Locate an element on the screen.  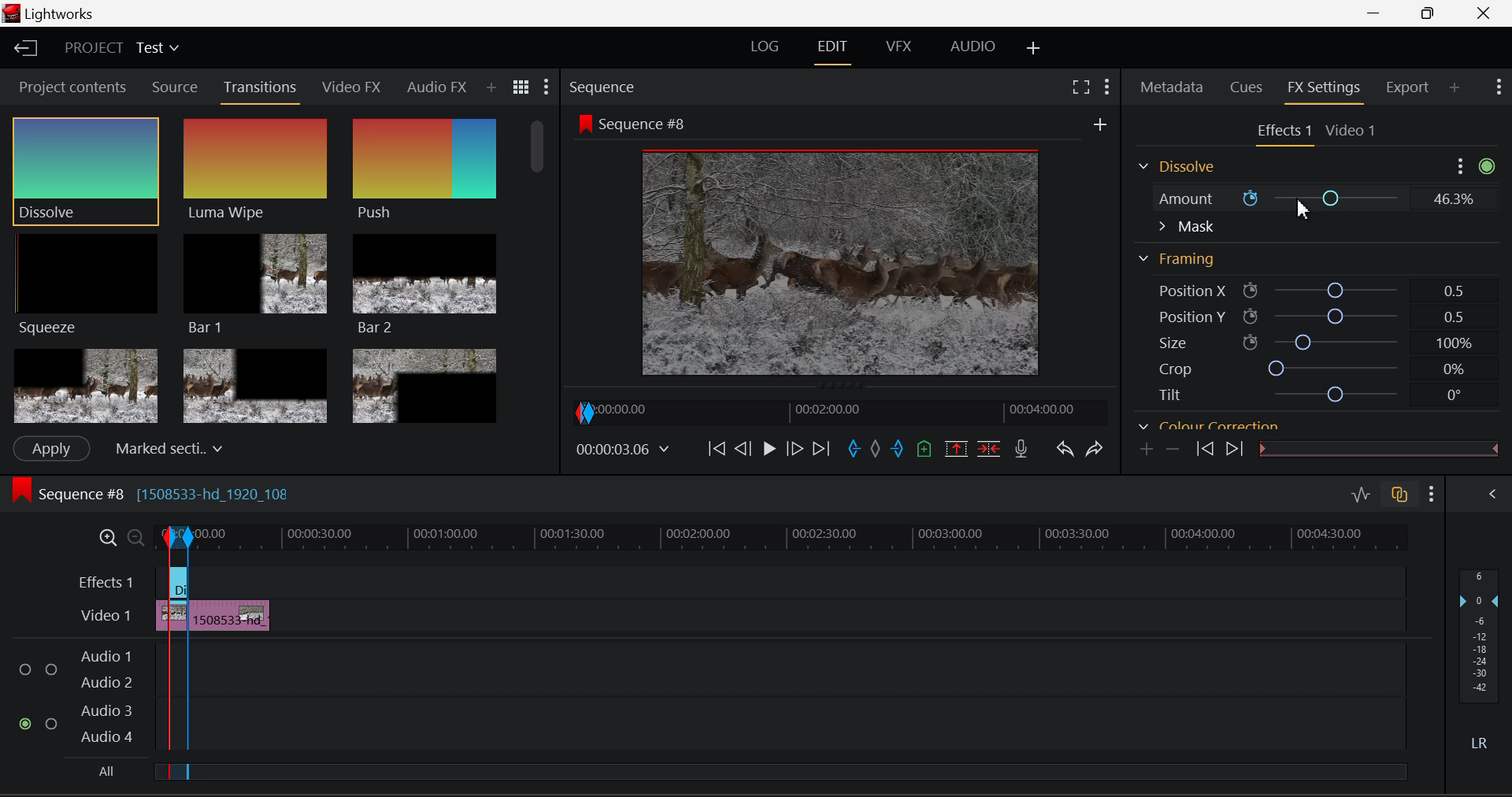
Audio Input Checkbox is located at coordinates (27, 723).